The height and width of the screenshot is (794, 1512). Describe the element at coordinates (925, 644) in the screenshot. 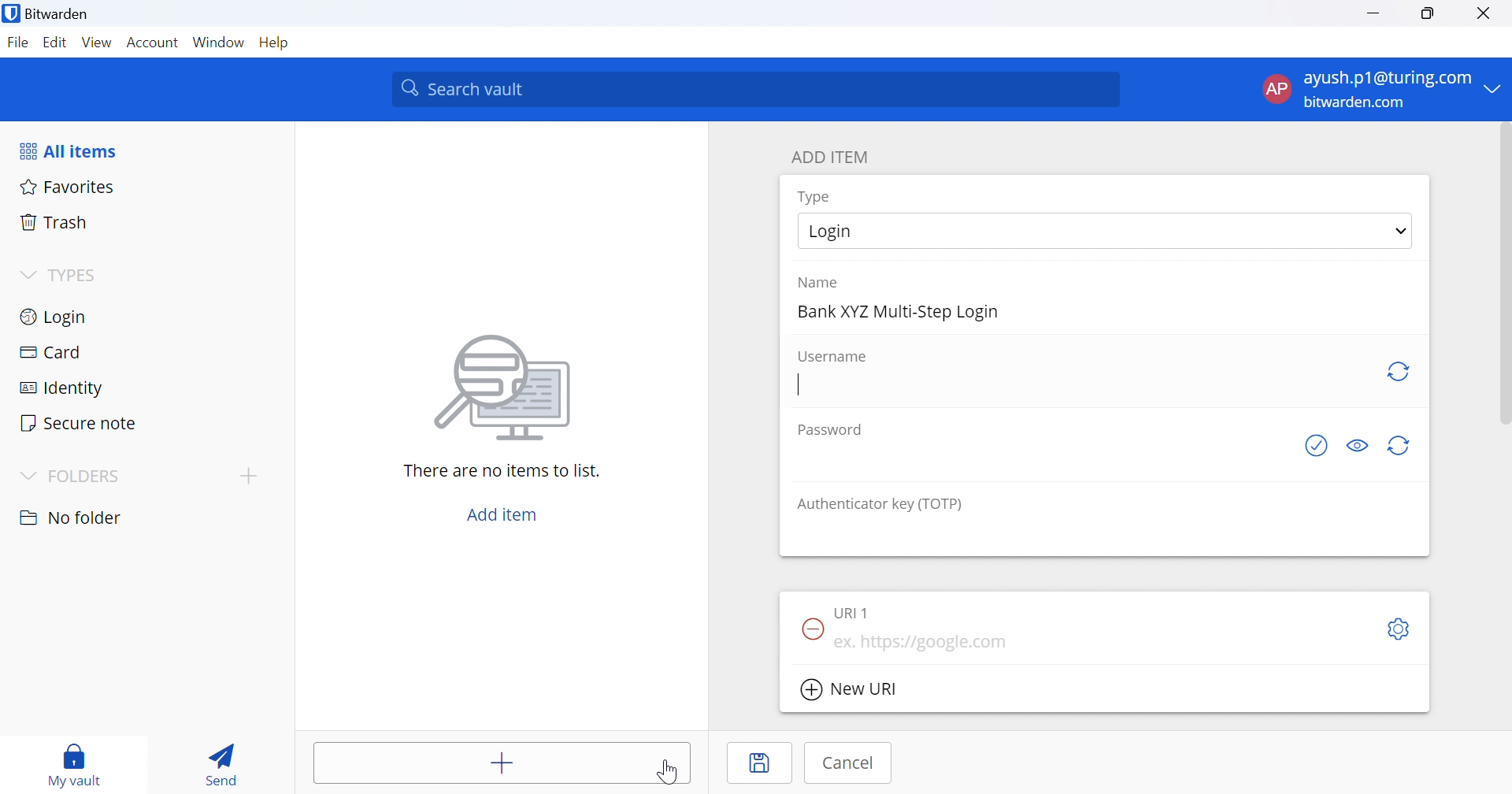

I see `ex. https://google.com` at that location.